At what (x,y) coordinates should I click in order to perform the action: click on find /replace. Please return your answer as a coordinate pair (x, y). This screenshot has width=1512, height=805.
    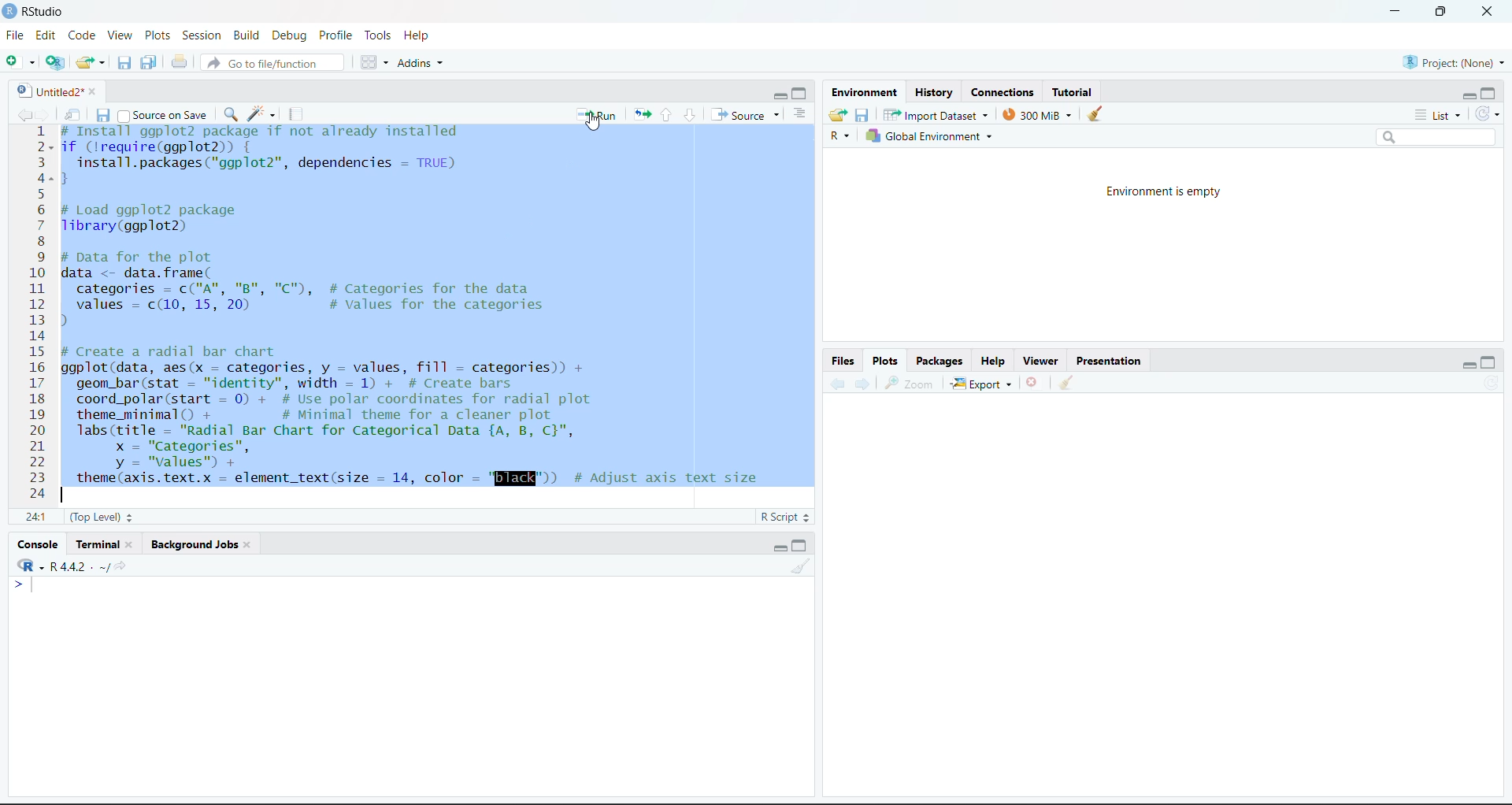
    Looking at the image, I should click on (229, 114).